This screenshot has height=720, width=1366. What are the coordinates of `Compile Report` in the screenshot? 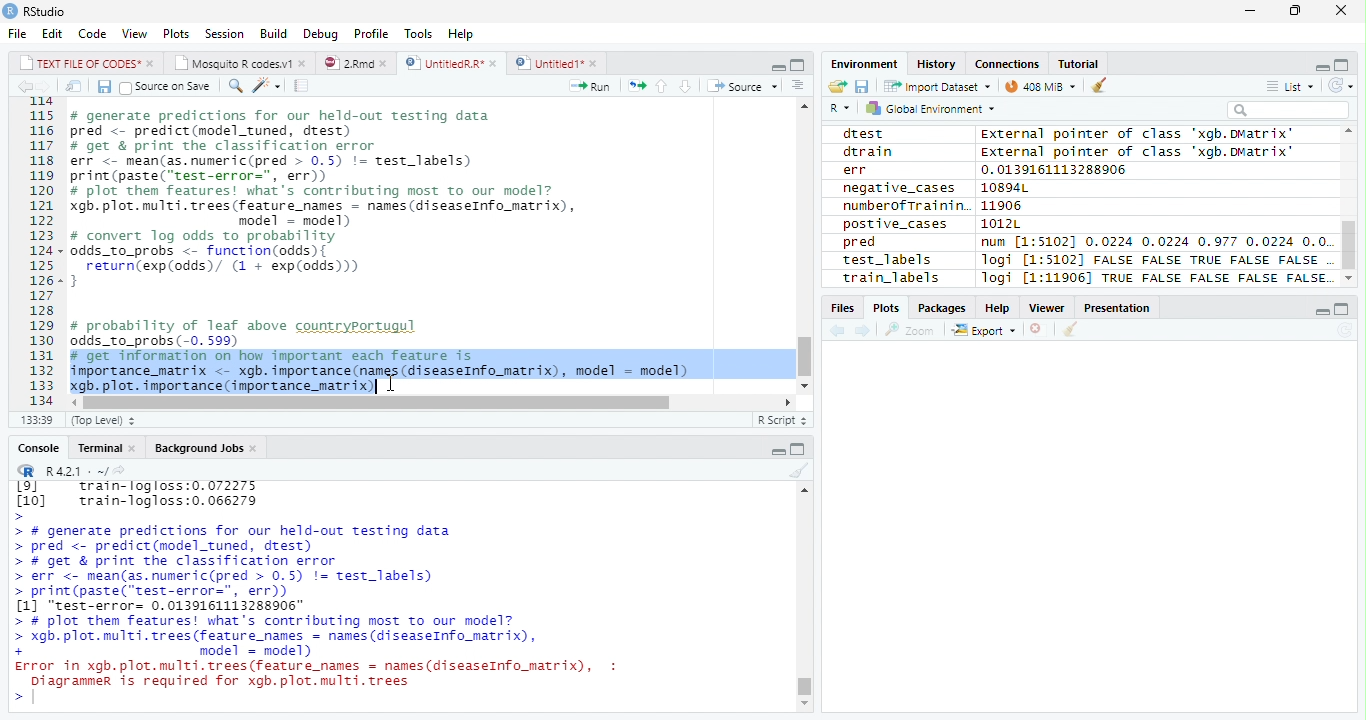 It's located at (301, 85).